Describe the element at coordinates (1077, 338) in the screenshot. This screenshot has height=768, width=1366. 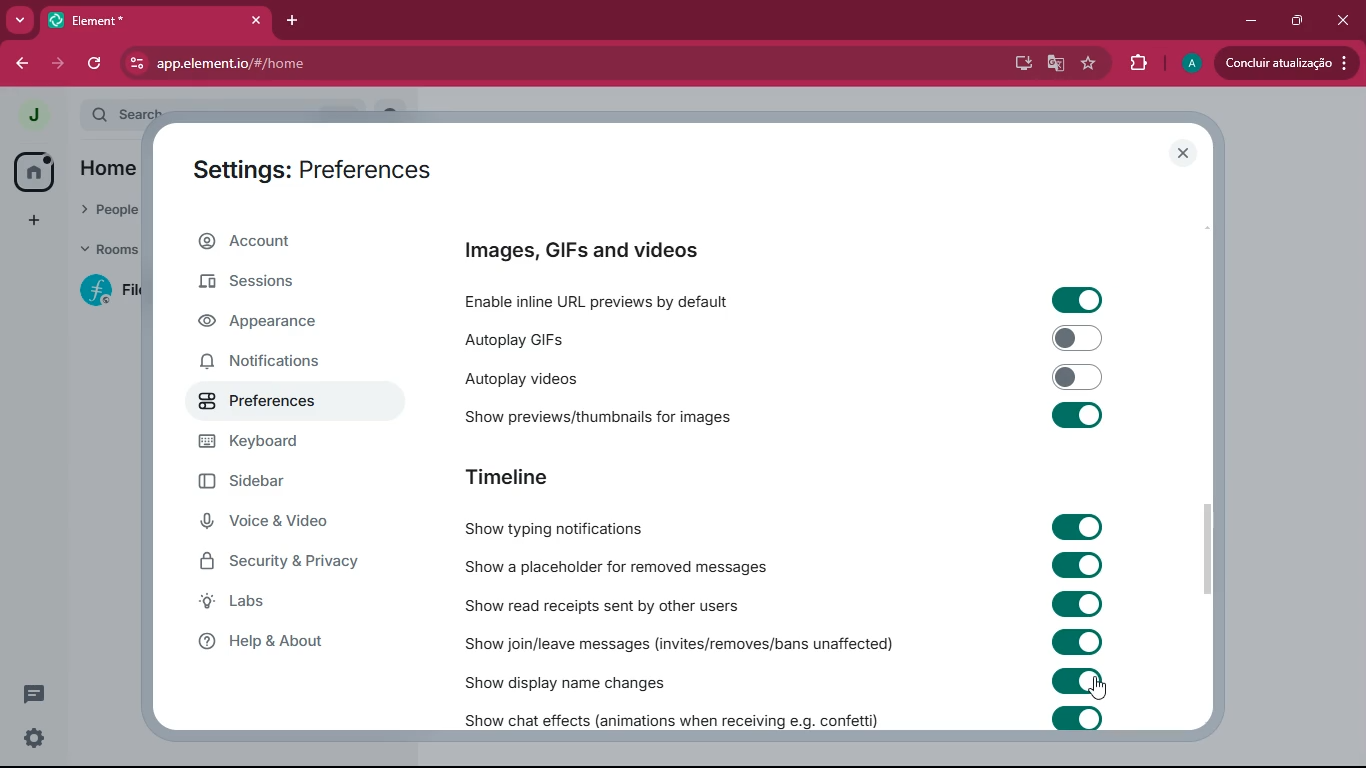
I see `toggle on/off` at that location.